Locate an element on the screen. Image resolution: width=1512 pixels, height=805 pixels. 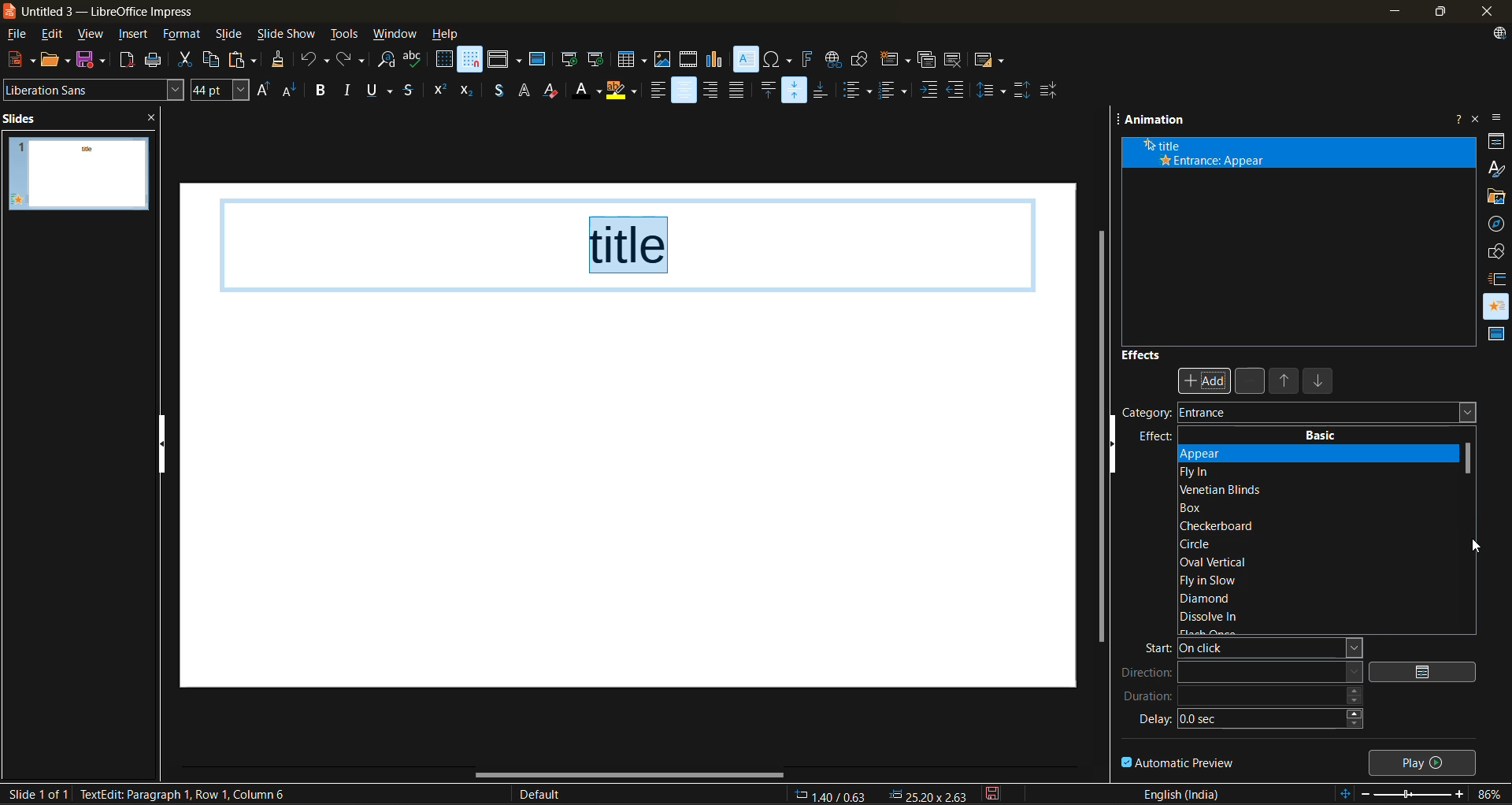
new slide is located at coordinates (894, 61).